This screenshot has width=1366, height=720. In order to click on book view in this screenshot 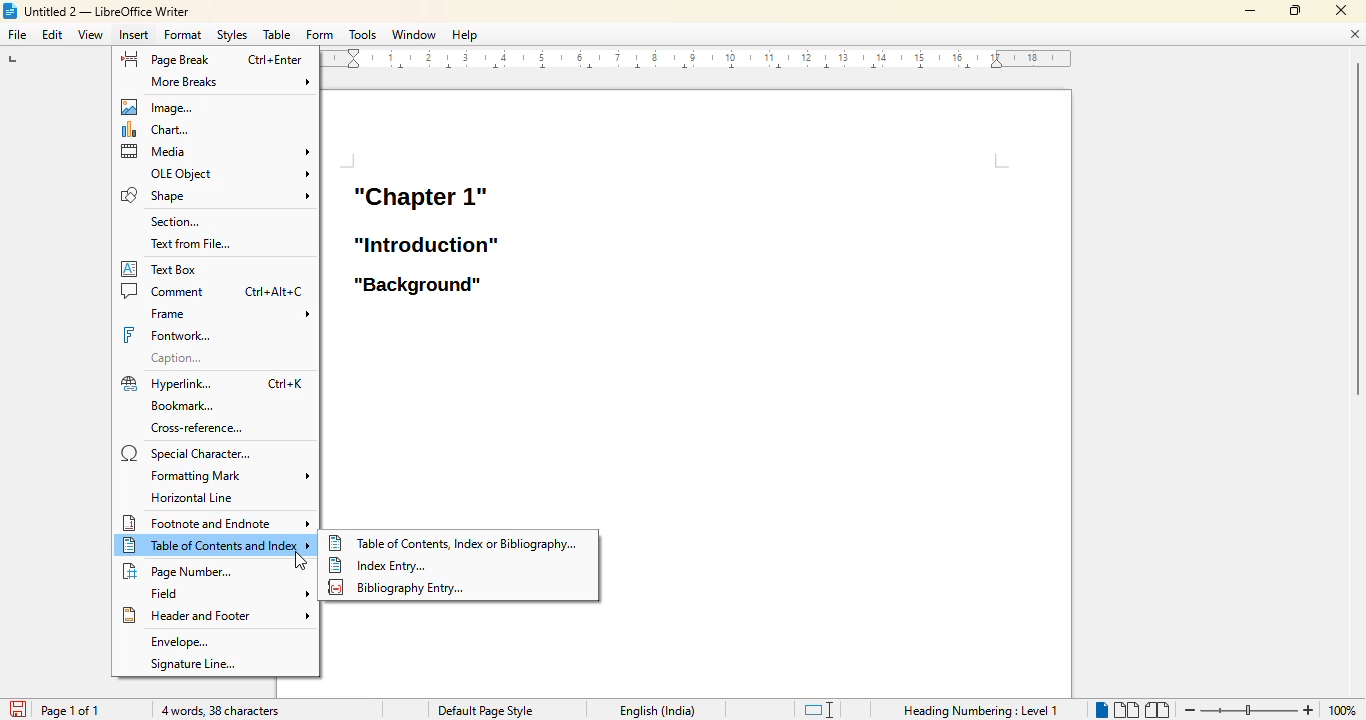, I will do `click(1157, 710)`.